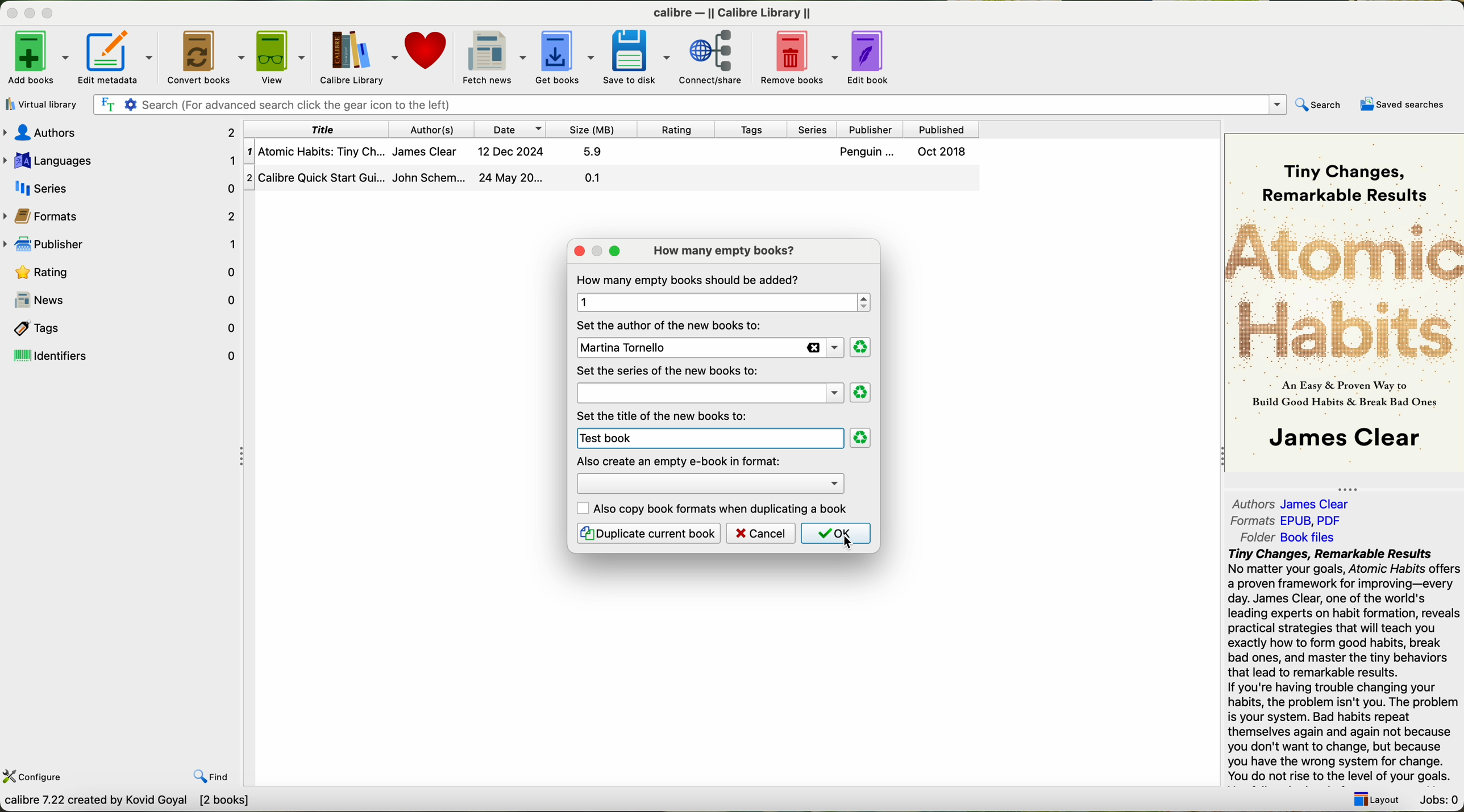  What do you see at coordinates (123, 215) in the screenshot?
I see `formats` at bounding box center [123, 215].